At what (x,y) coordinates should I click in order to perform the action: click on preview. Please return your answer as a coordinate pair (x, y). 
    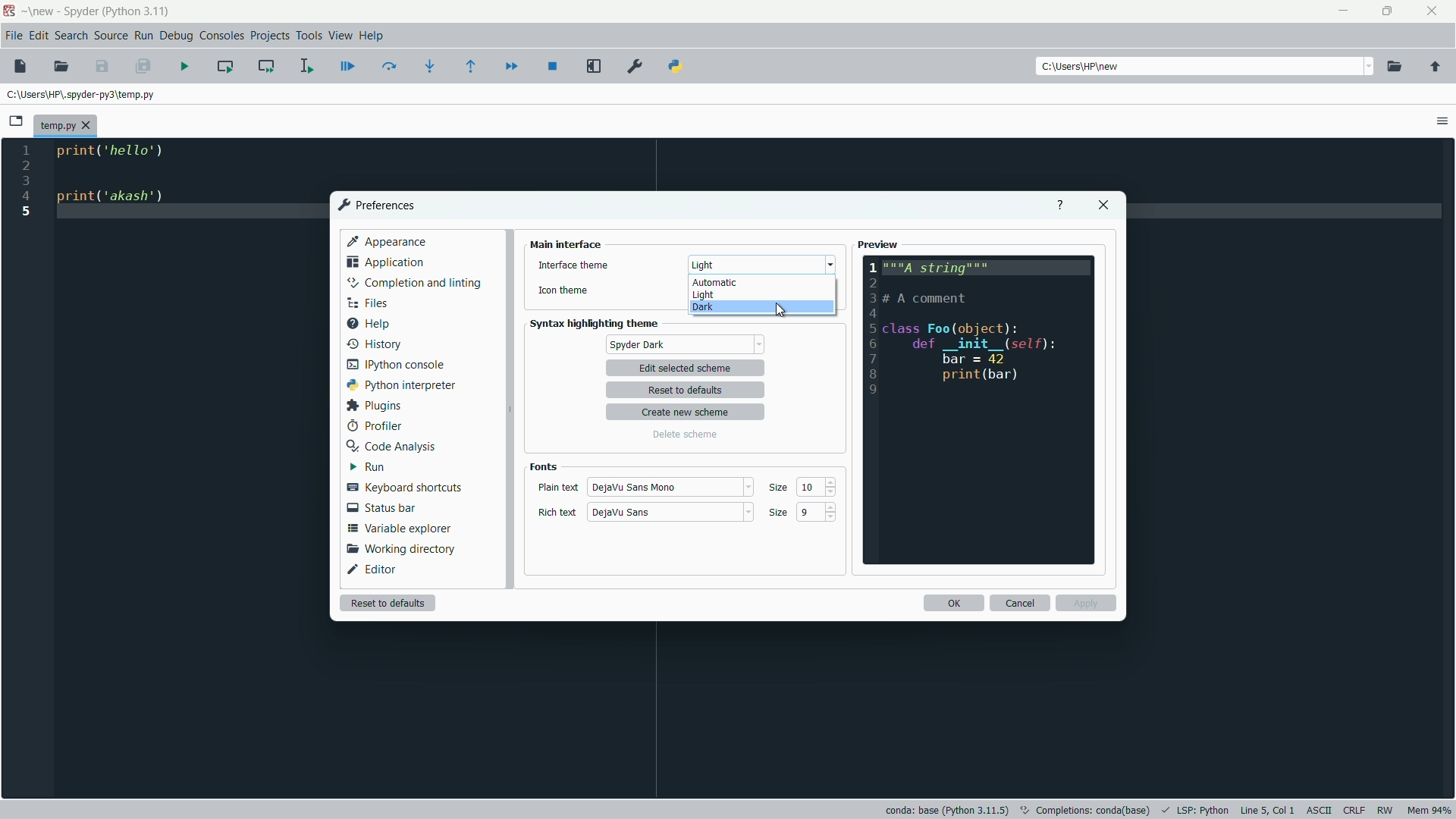
    Looking at the image, I should click on (879, 245).